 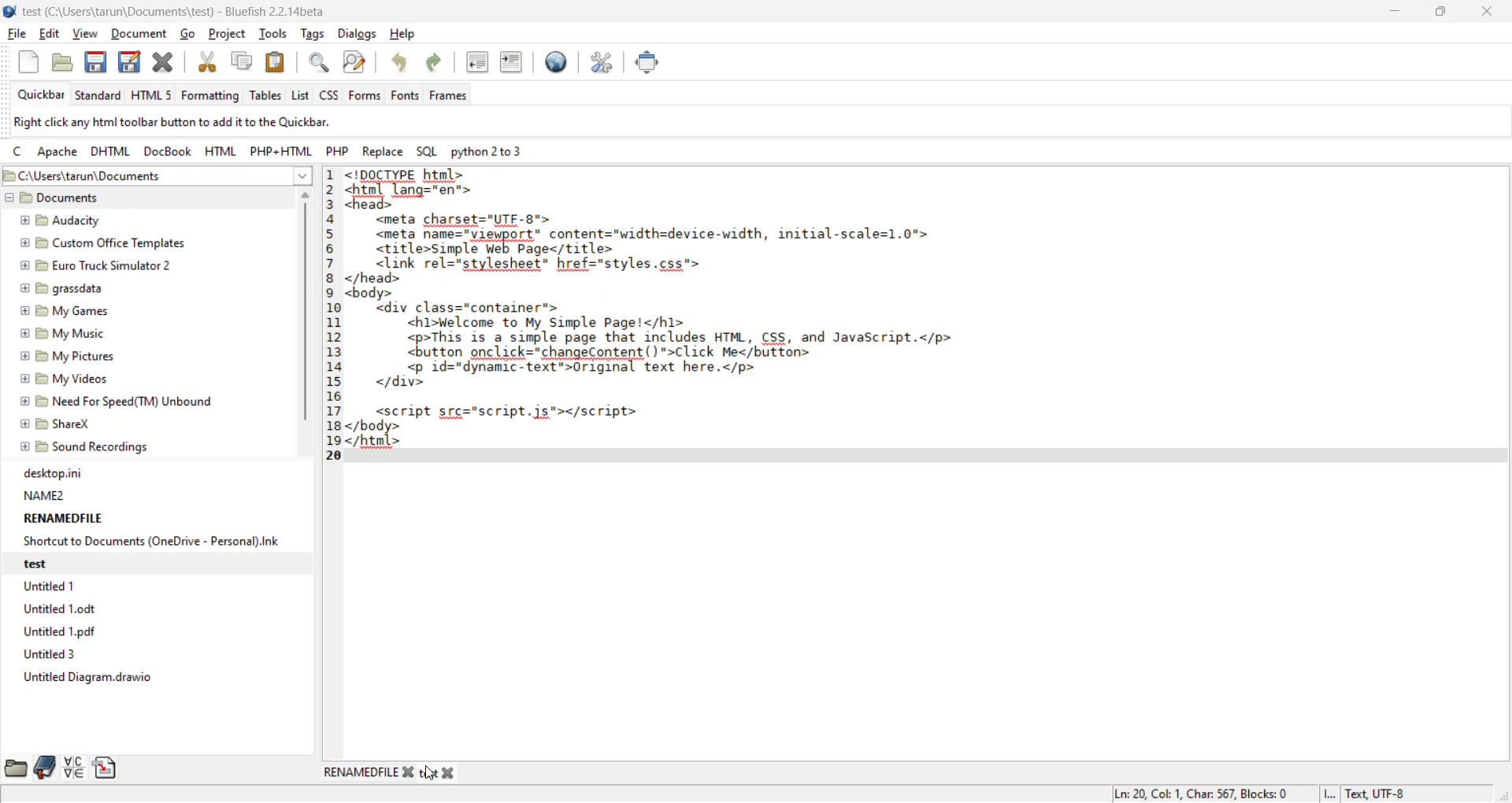 What do you see at coordinates (64, 64) in the screenshot?
I see `open` at bounding box center [64, 64].